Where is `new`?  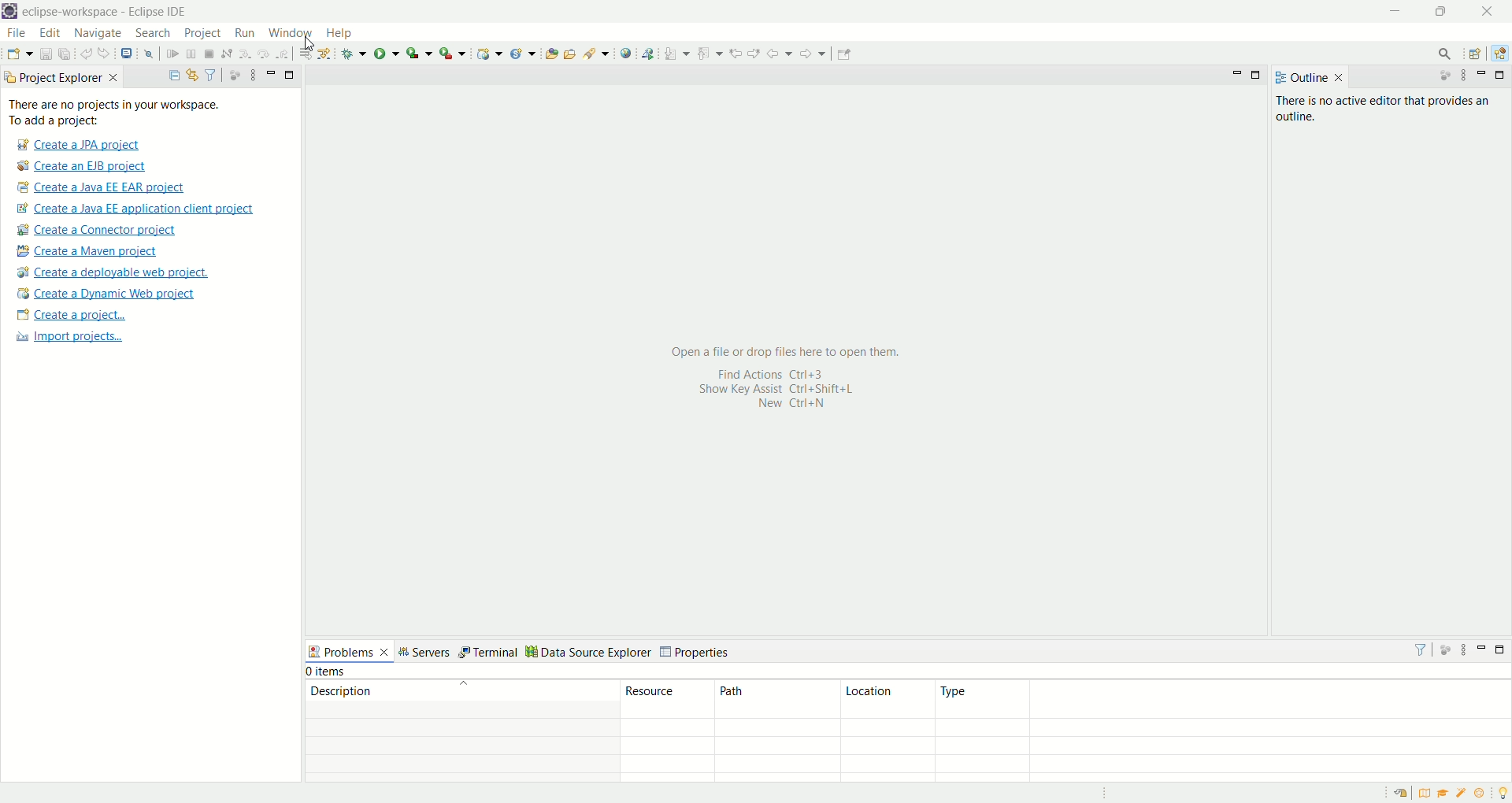
new is located at coordinates (18, 54).